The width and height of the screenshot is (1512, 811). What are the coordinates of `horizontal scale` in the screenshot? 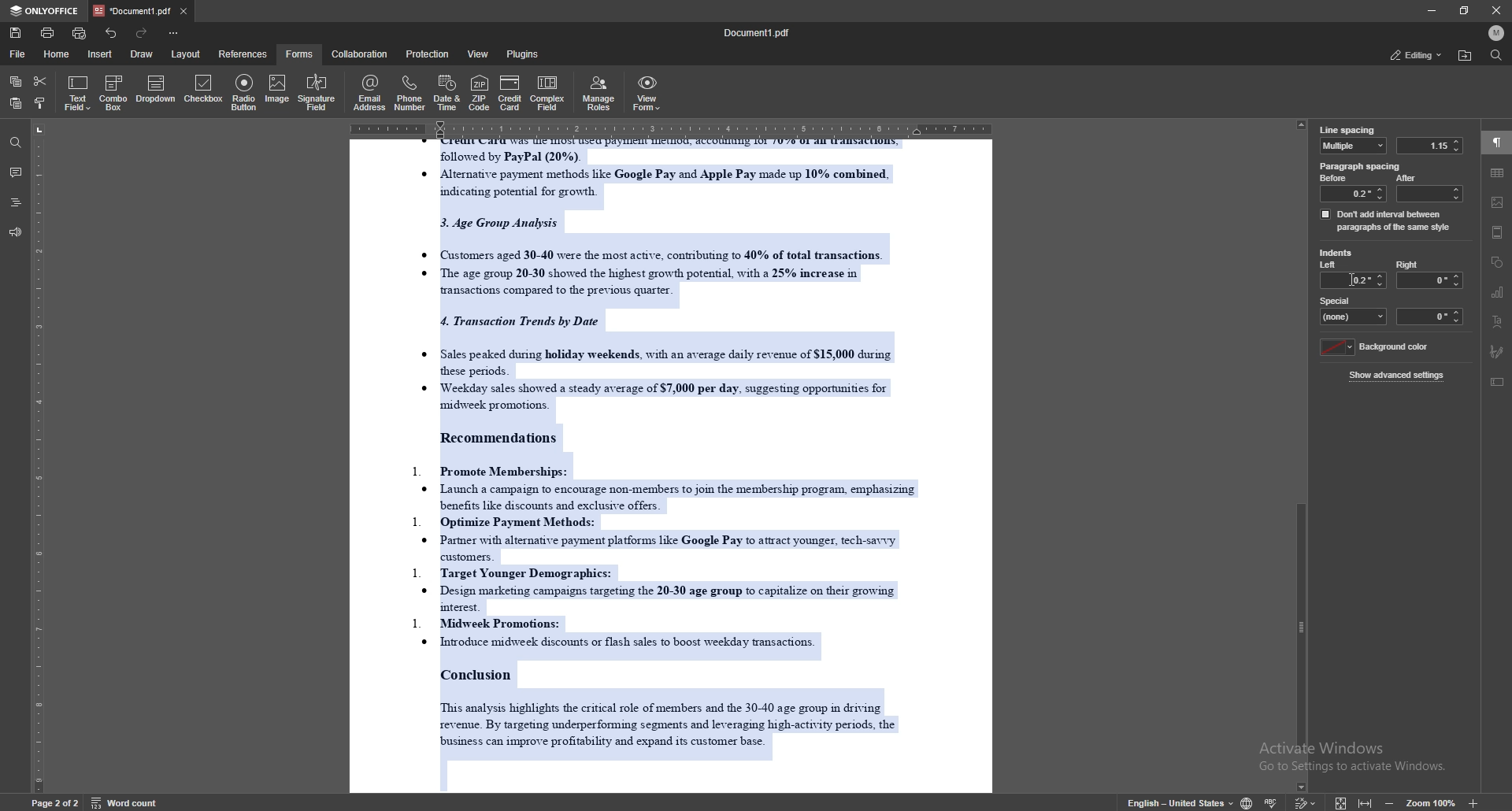 It's located at (672, 126).